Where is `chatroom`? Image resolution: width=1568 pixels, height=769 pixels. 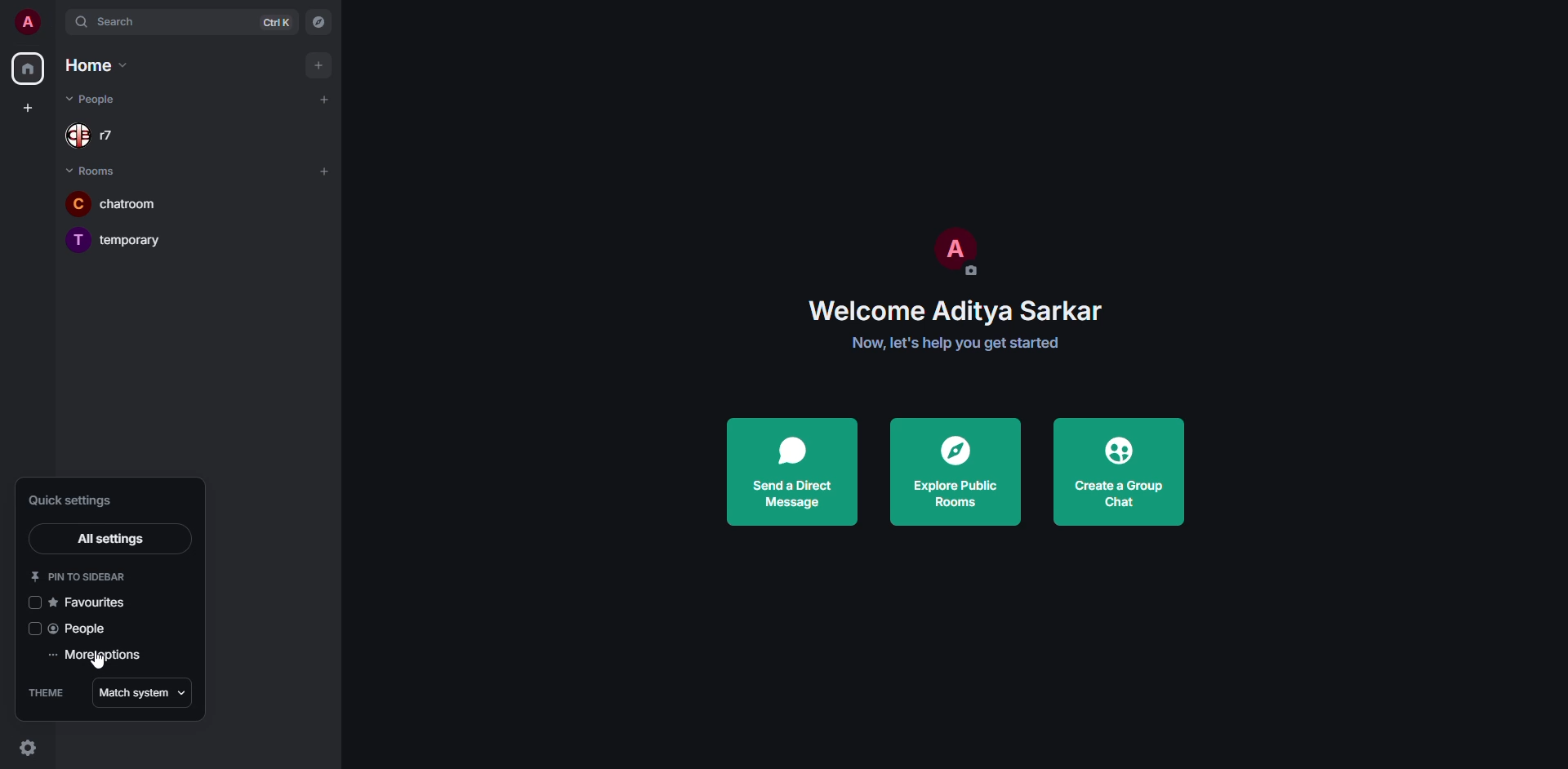
chatroom is located at coordinates (113, 202).